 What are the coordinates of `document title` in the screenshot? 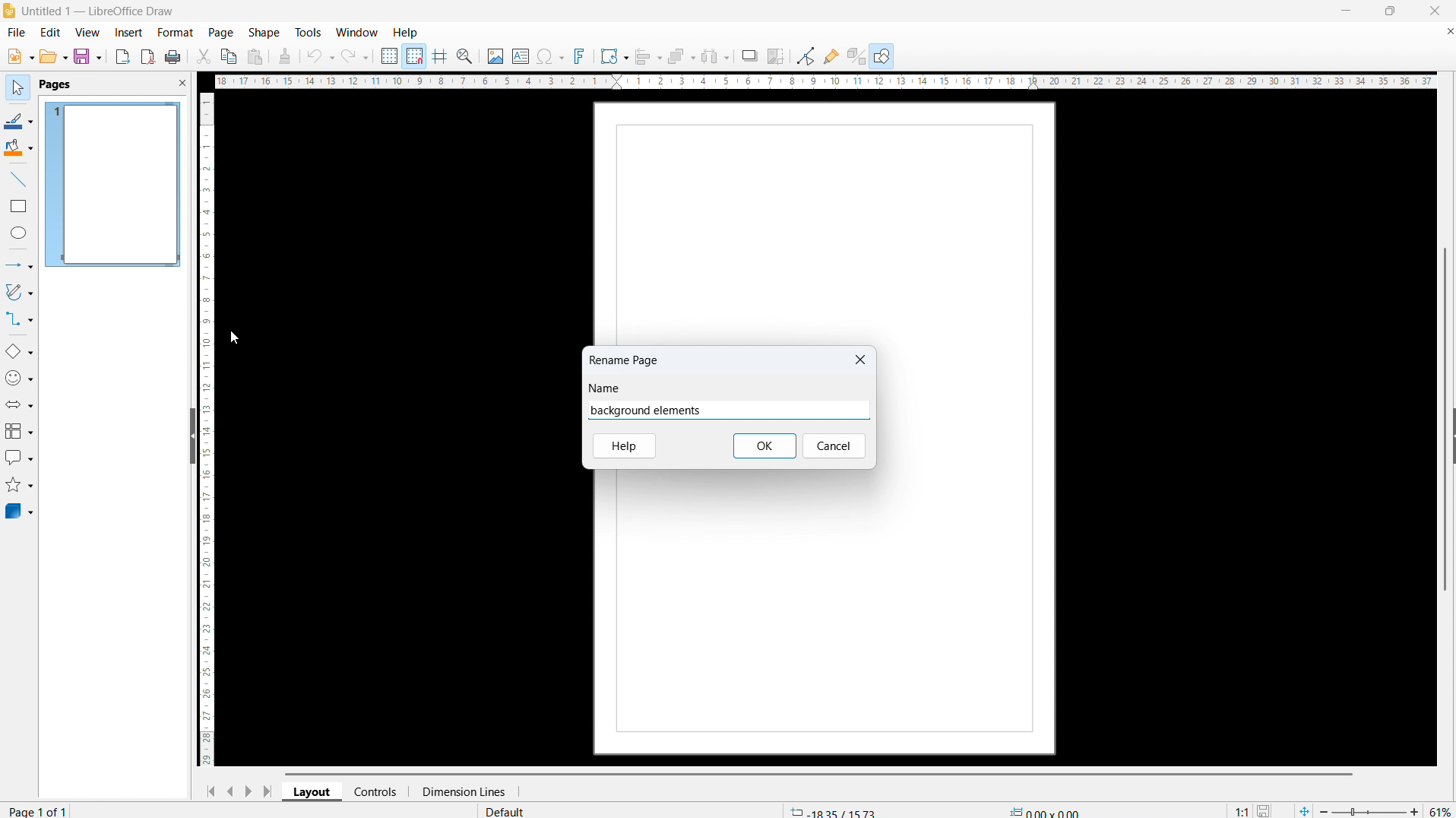 It's located at (100, 12).